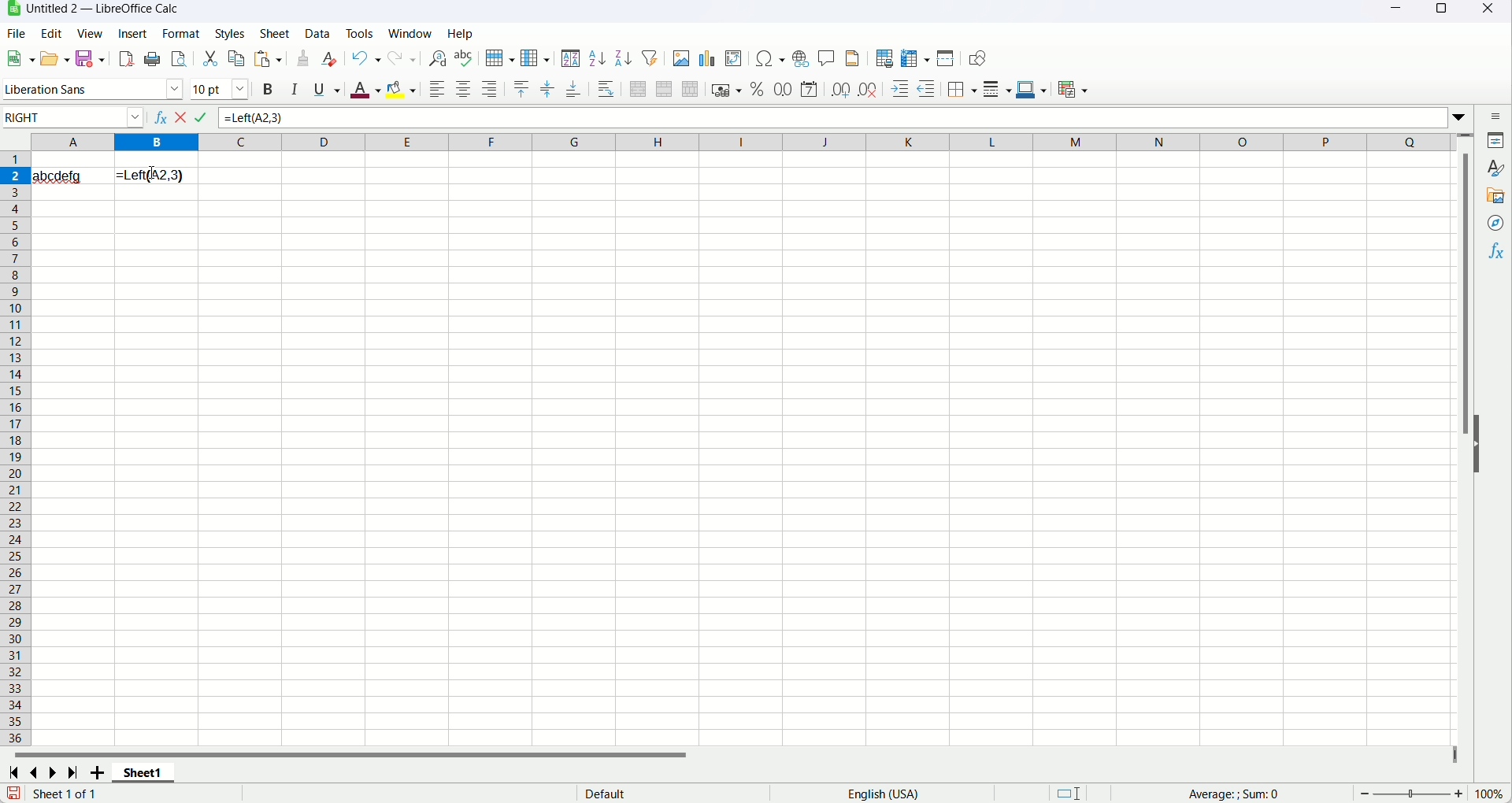 The height and width of the screenshot is (803, 1512). Describe the element at coordinates (572, 59) in the screenshot. I see `sort` at that location.